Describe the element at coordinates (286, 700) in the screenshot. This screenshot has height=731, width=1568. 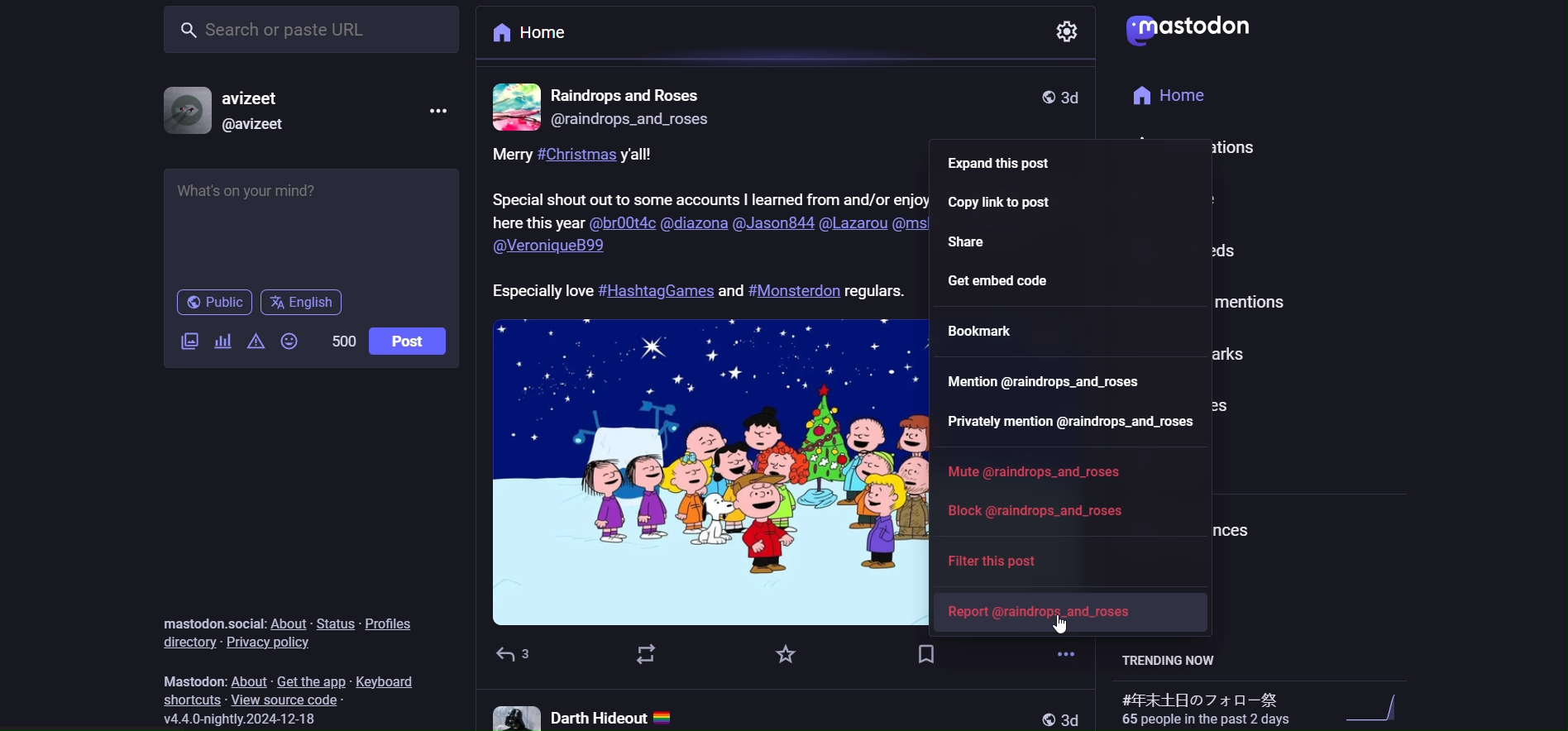
I see `source code` at that location.